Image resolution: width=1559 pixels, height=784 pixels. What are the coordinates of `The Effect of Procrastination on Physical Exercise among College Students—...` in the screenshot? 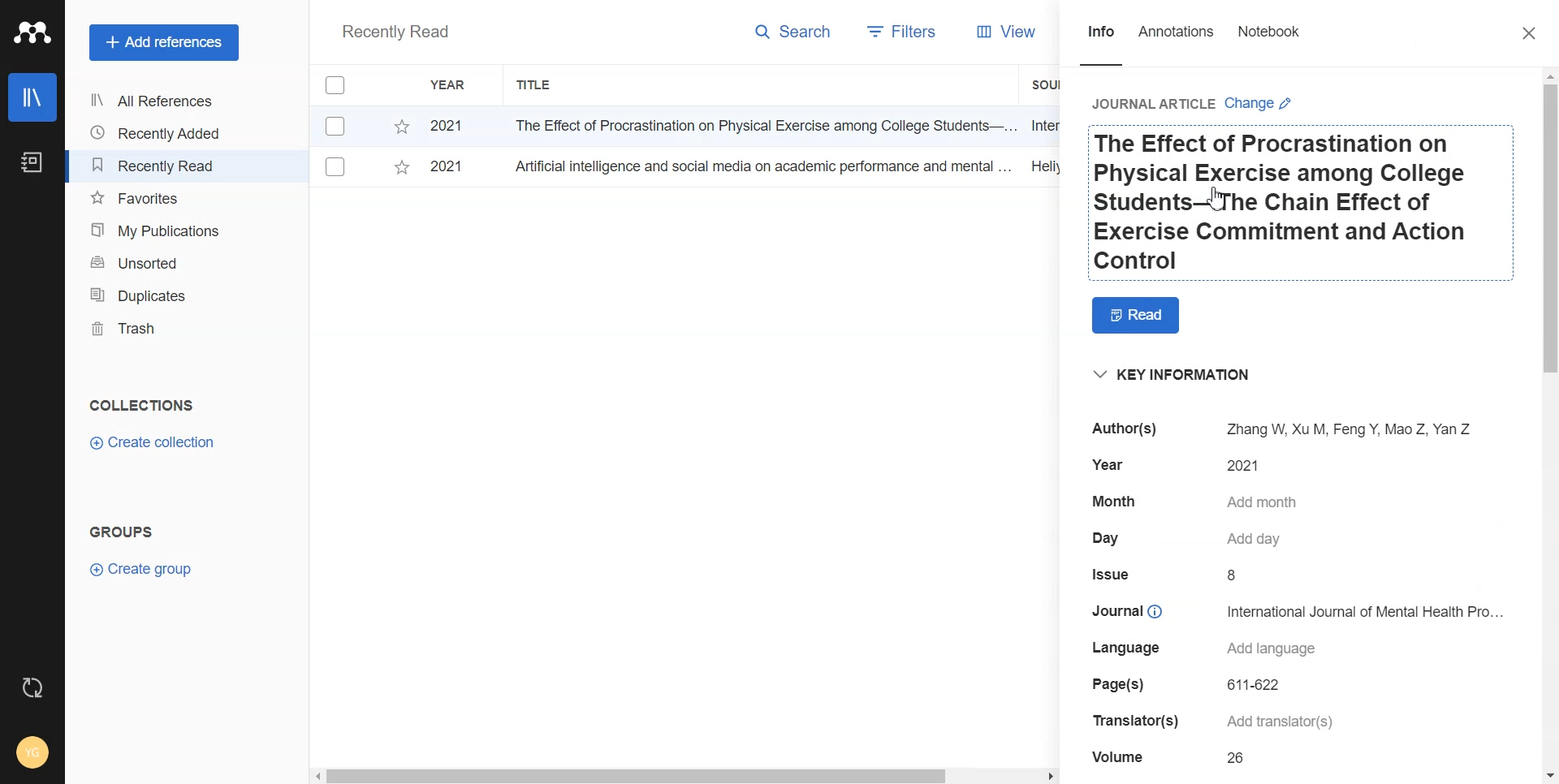 It's located at (759, 125).